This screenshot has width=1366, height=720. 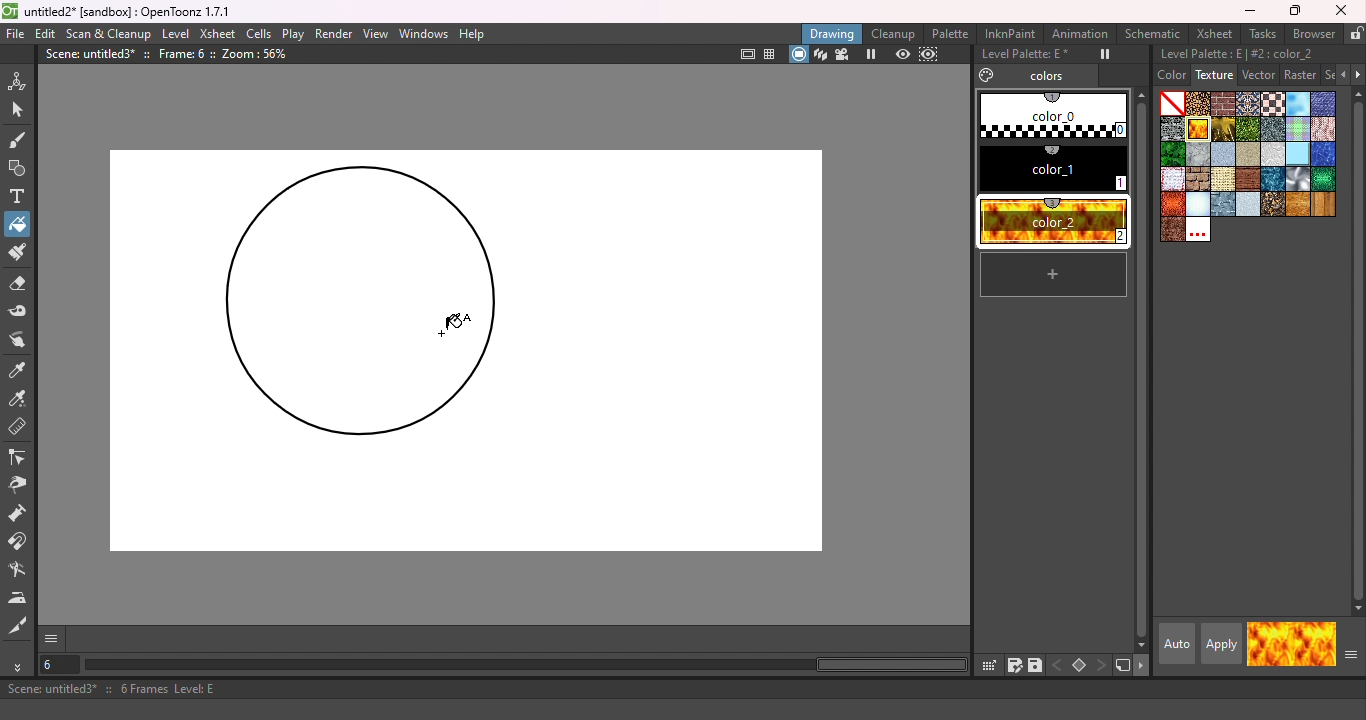 I want to click on Type tool, so click(x=22, y=196).